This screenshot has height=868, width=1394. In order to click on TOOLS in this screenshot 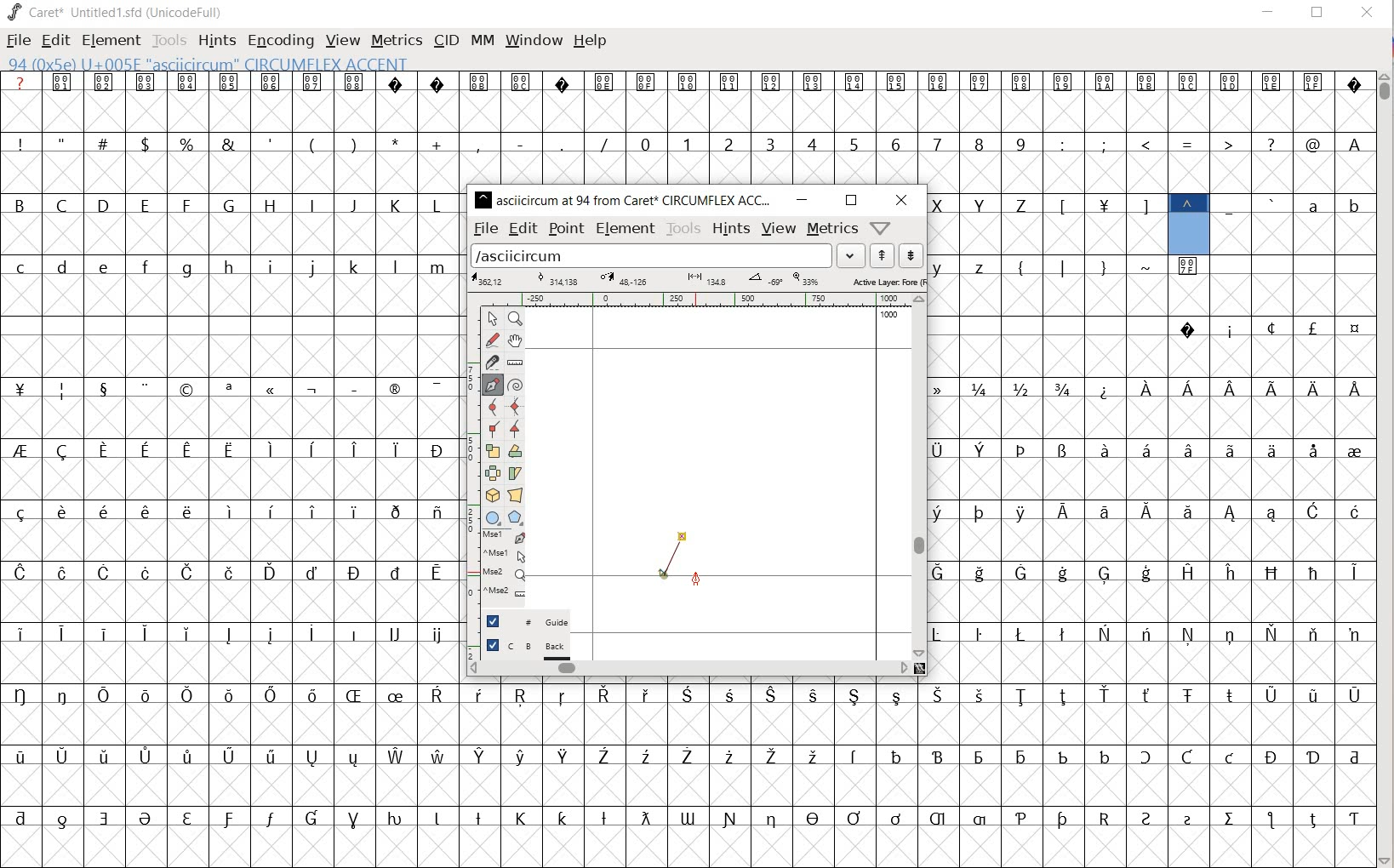, I will do `click(169, 40)`.